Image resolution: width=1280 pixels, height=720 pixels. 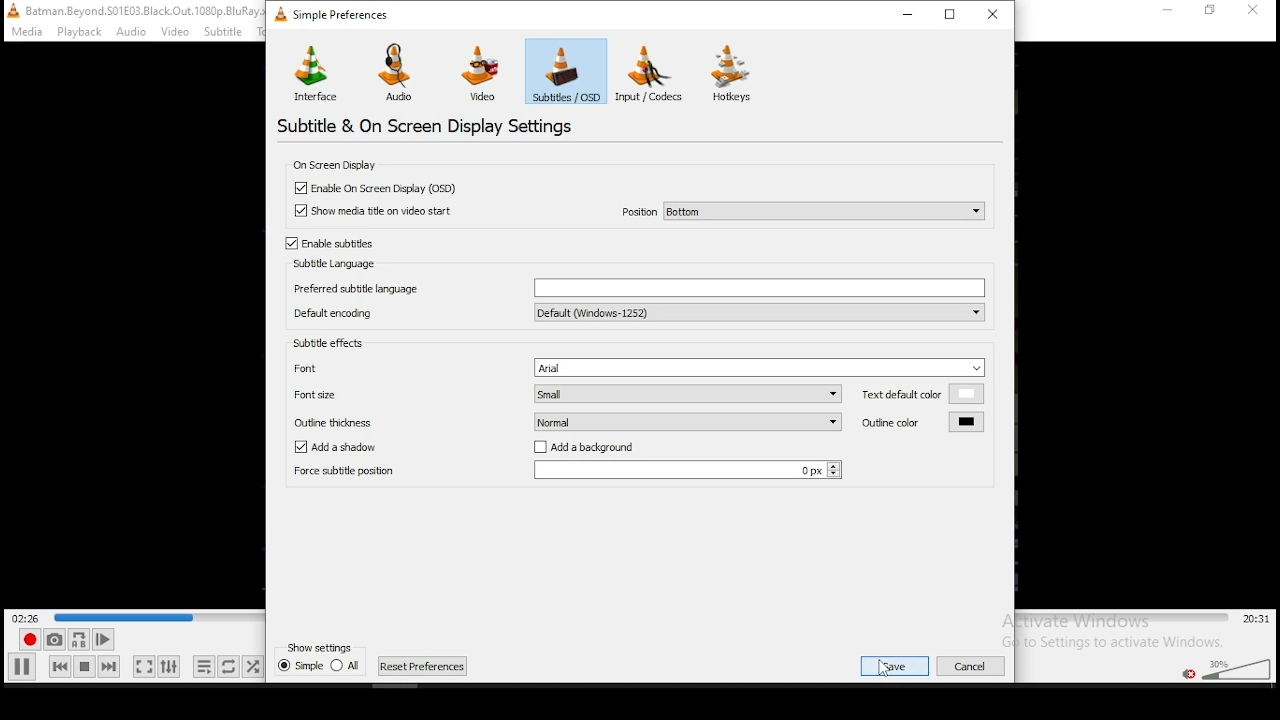 I want to click on outline color, so click(x=921, y=422).